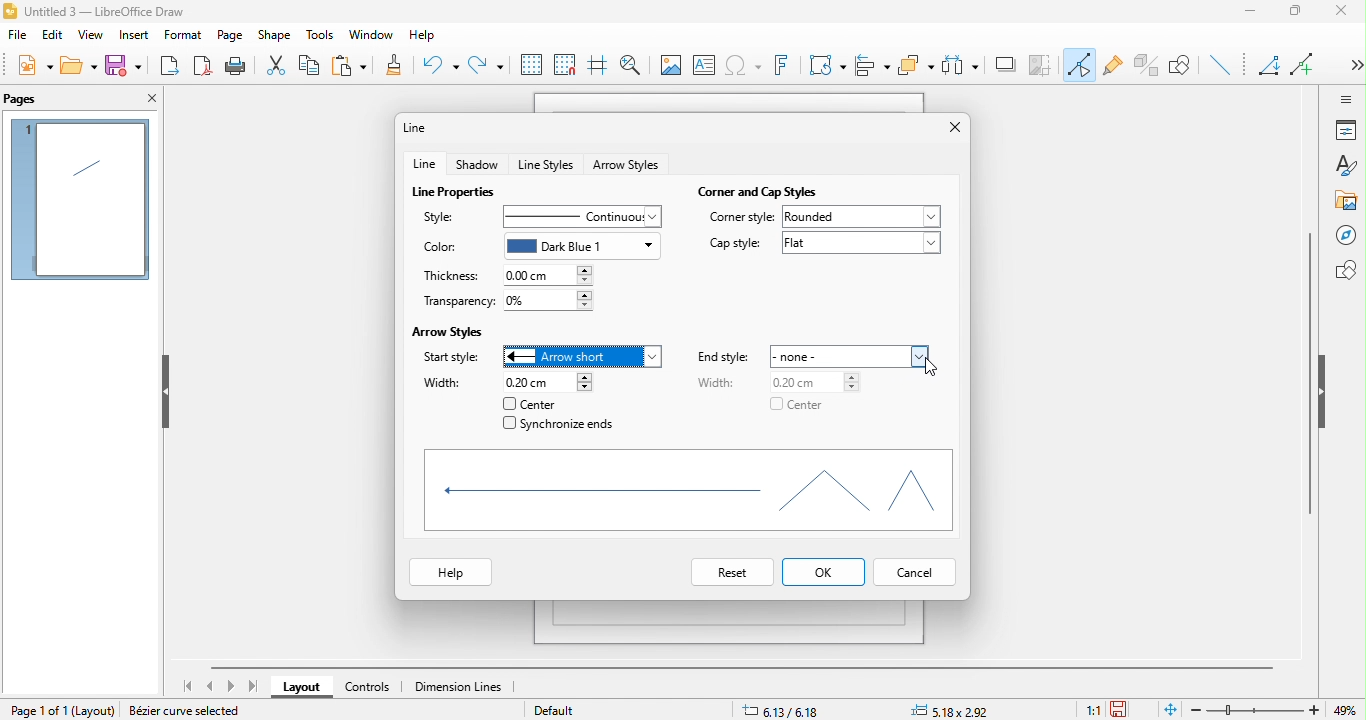 This screenshot has width=1366, height=720. I want to click on transformation, so click(827, 65).